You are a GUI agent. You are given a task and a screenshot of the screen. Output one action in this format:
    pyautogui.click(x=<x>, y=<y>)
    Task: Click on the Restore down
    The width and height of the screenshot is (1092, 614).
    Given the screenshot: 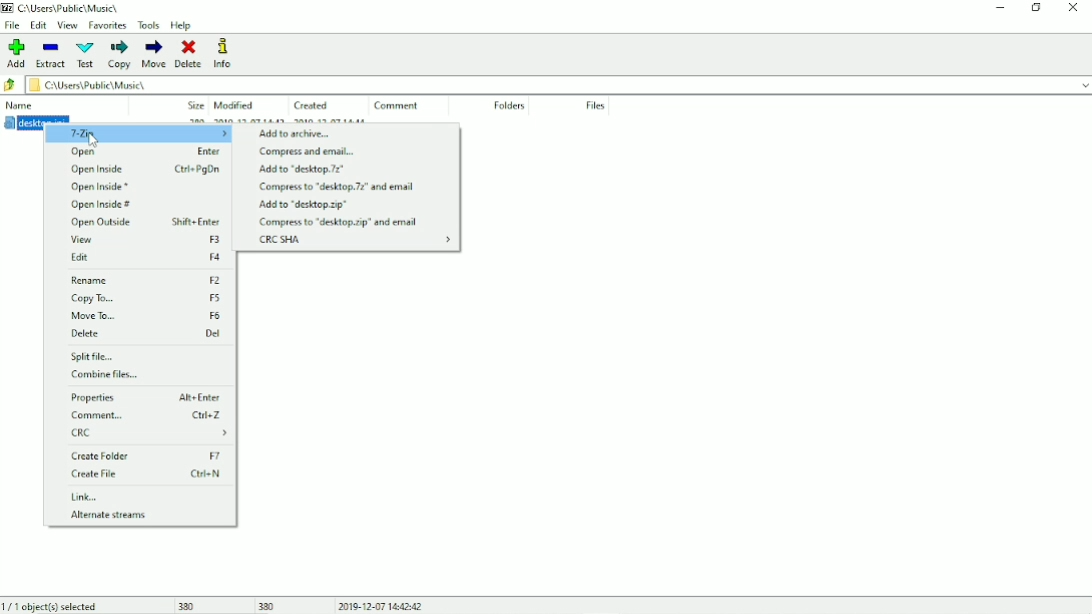 What is the action you would take?
    pyautogui.click(x=1038, y=7)
    